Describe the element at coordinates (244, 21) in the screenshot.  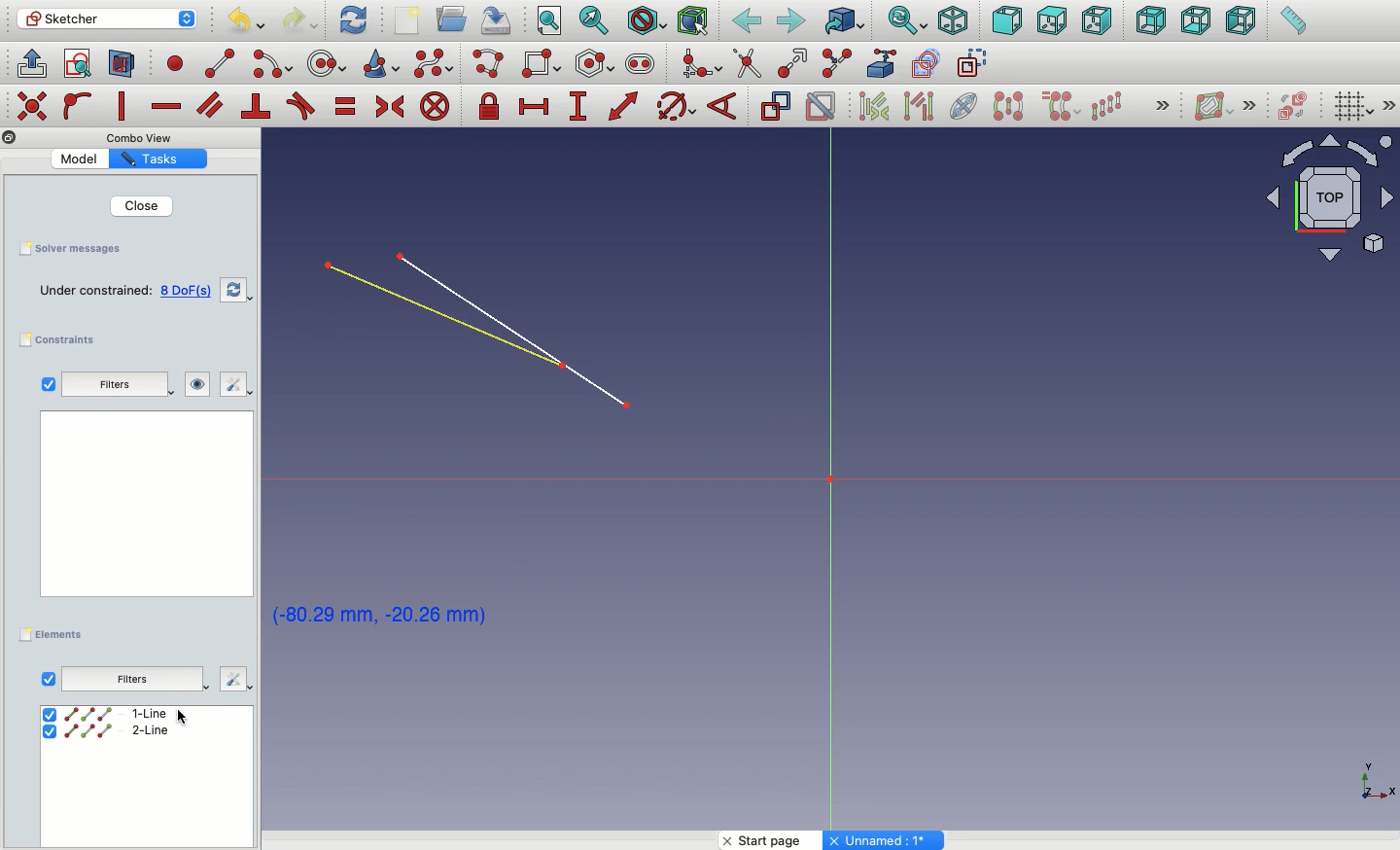
I see `Undo` at that location.